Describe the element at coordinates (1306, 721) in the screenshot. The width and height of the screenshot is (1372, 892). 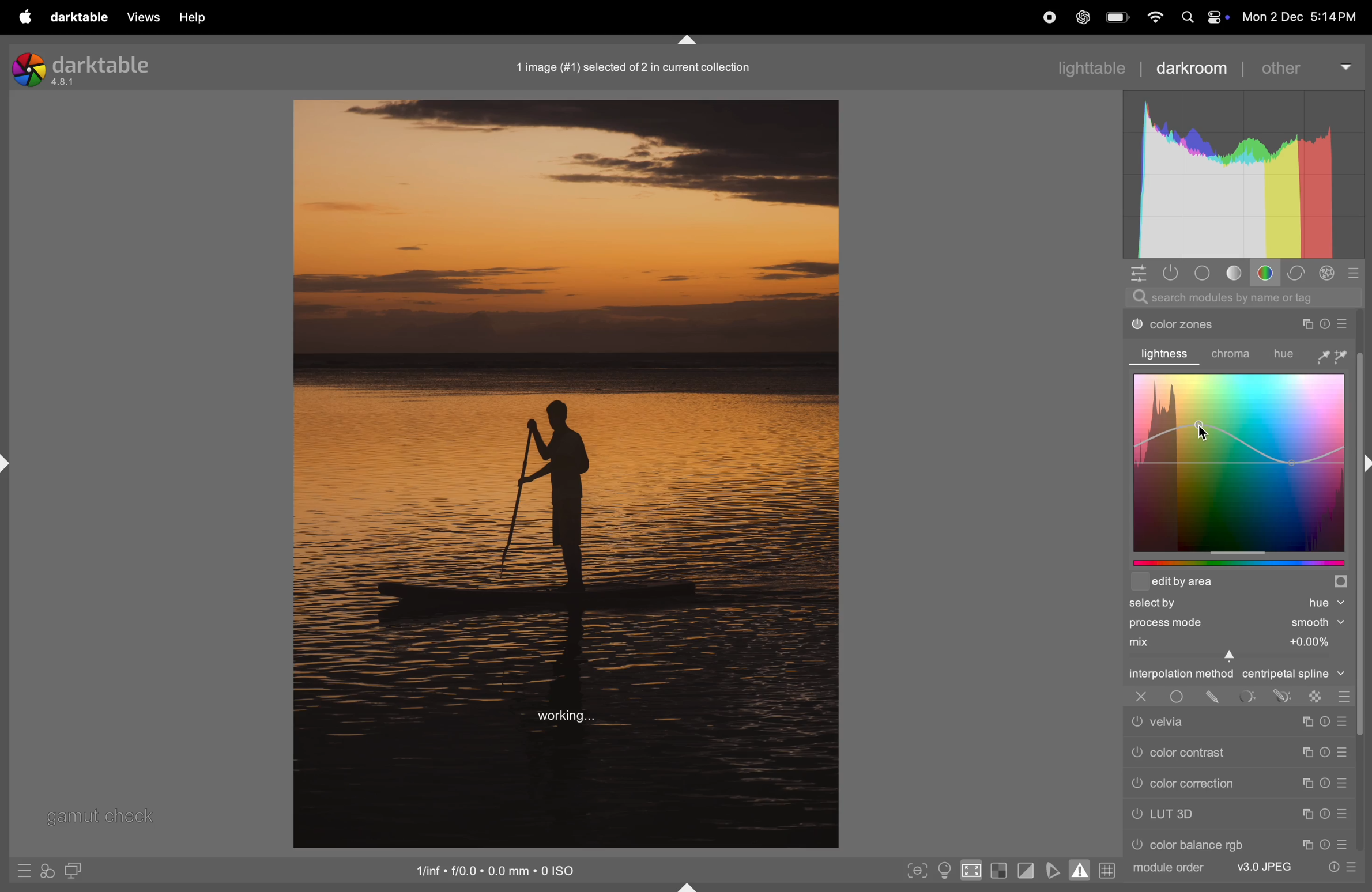
I see `Copy` at that location.